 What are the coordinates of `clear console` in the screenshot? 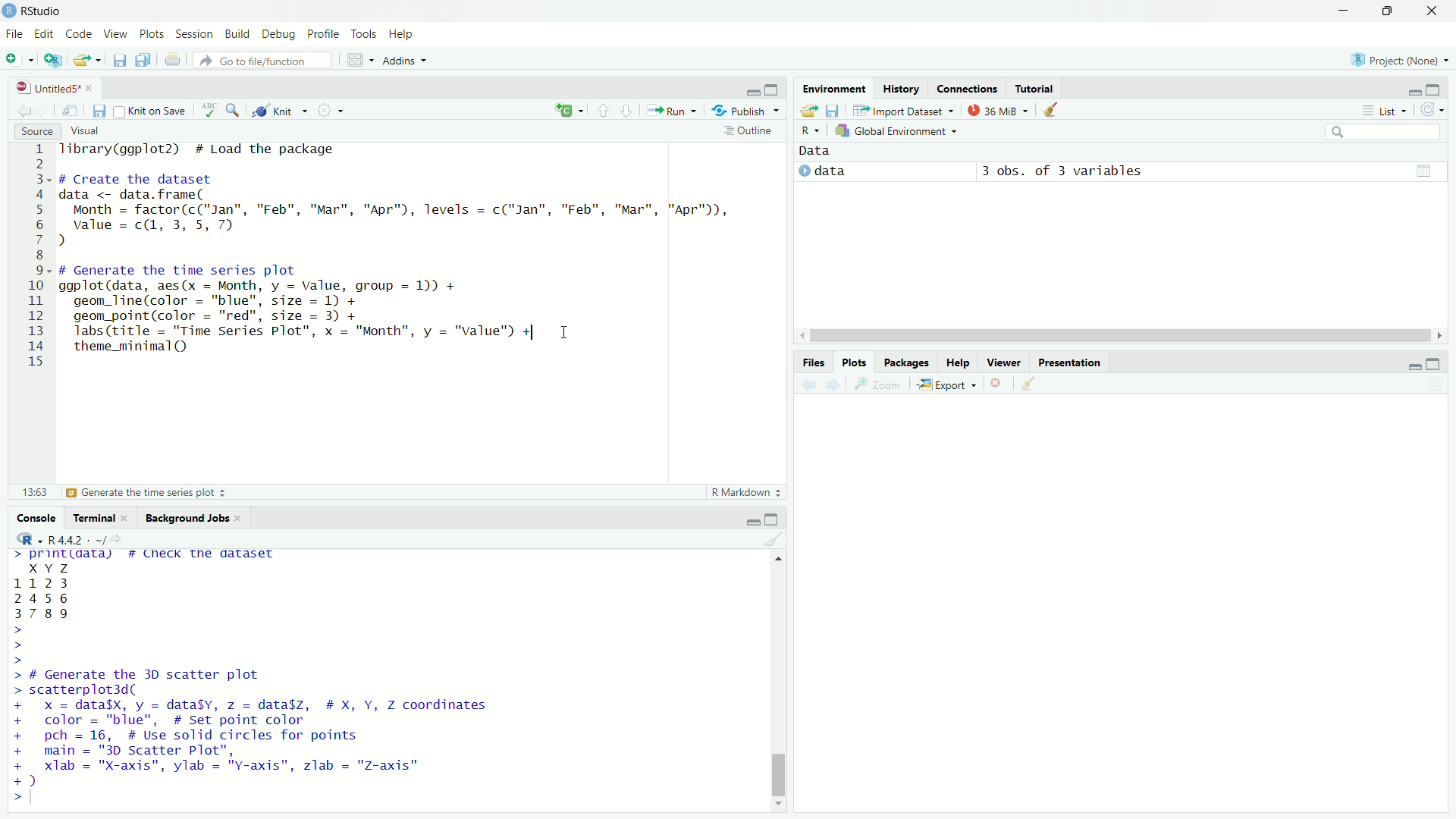 It's located at (773, 539).